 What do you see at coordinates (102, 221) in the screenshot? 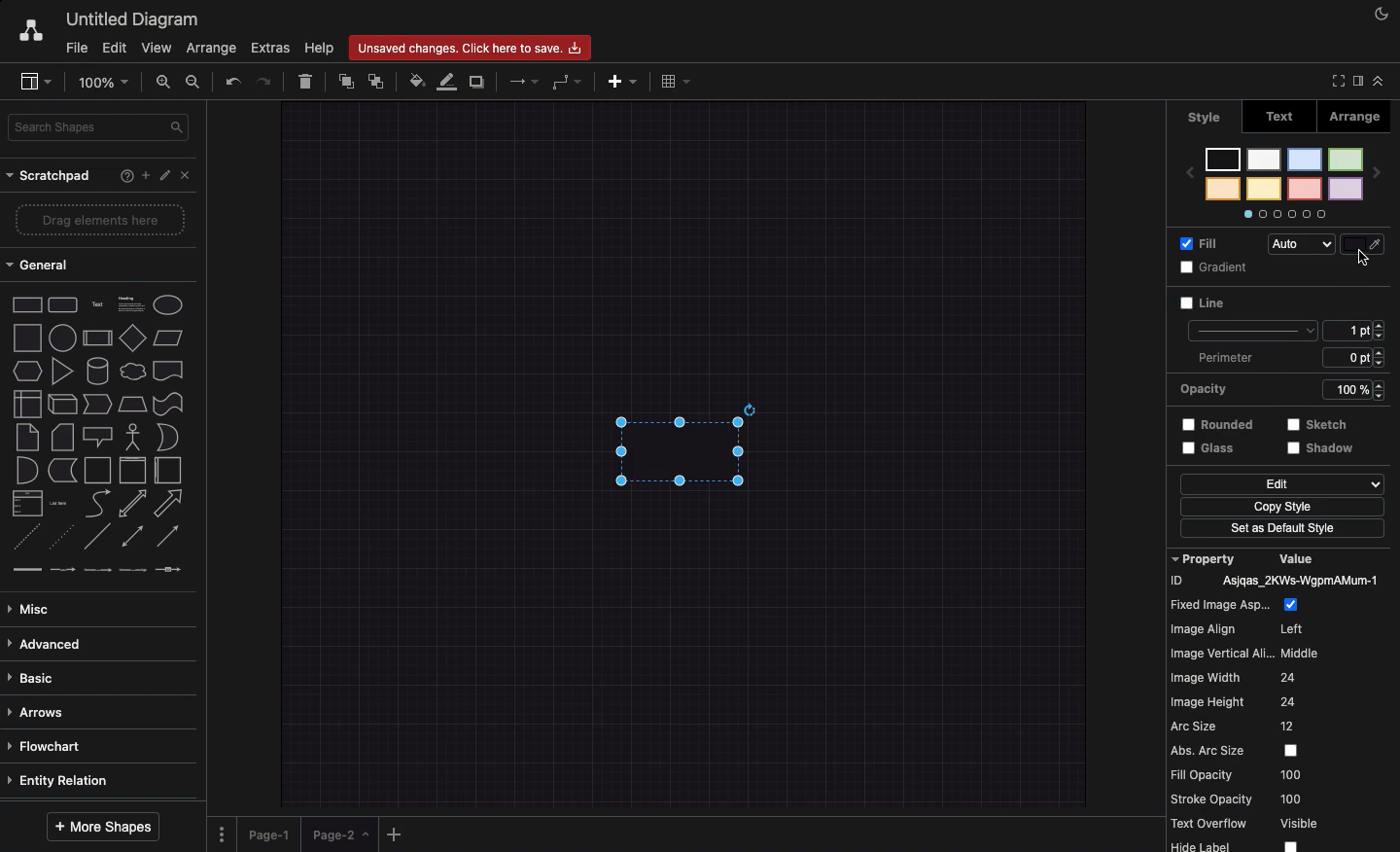
I see `Drag elements here` at bounding box center [102, 221].